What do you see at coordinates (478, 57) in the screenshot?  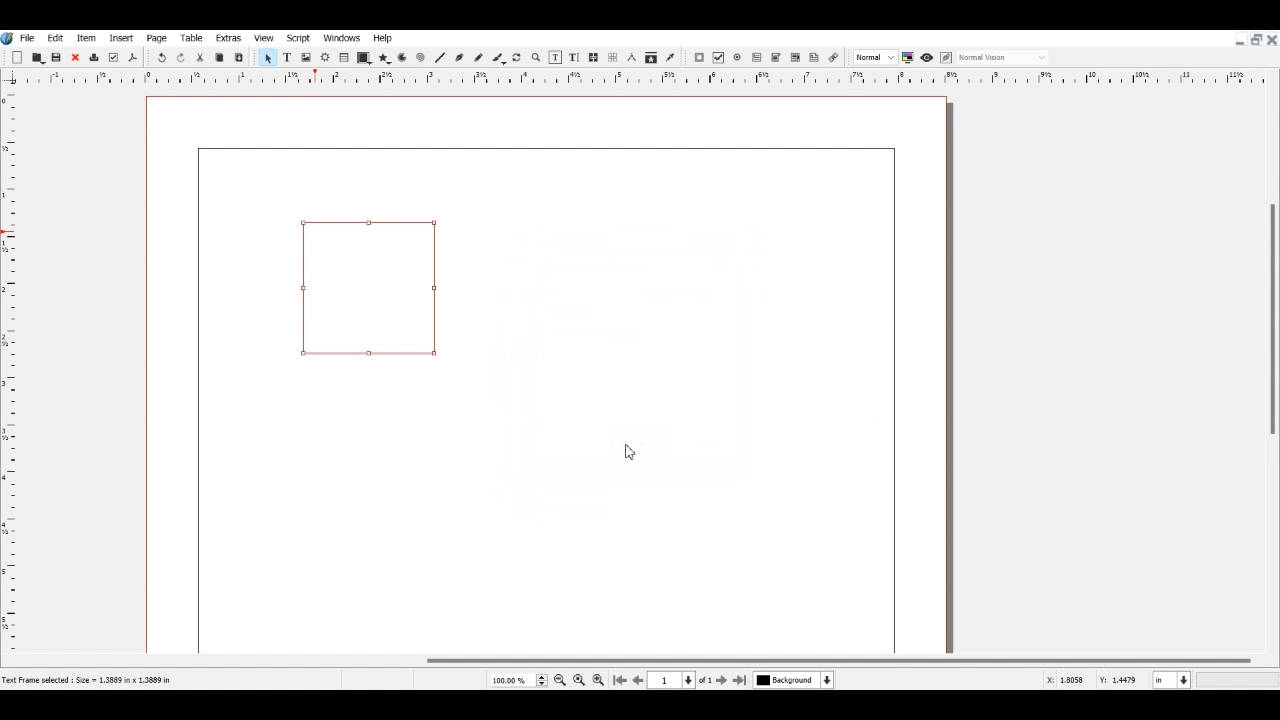 I see `Freehand line` at bounding box center [478, 57].